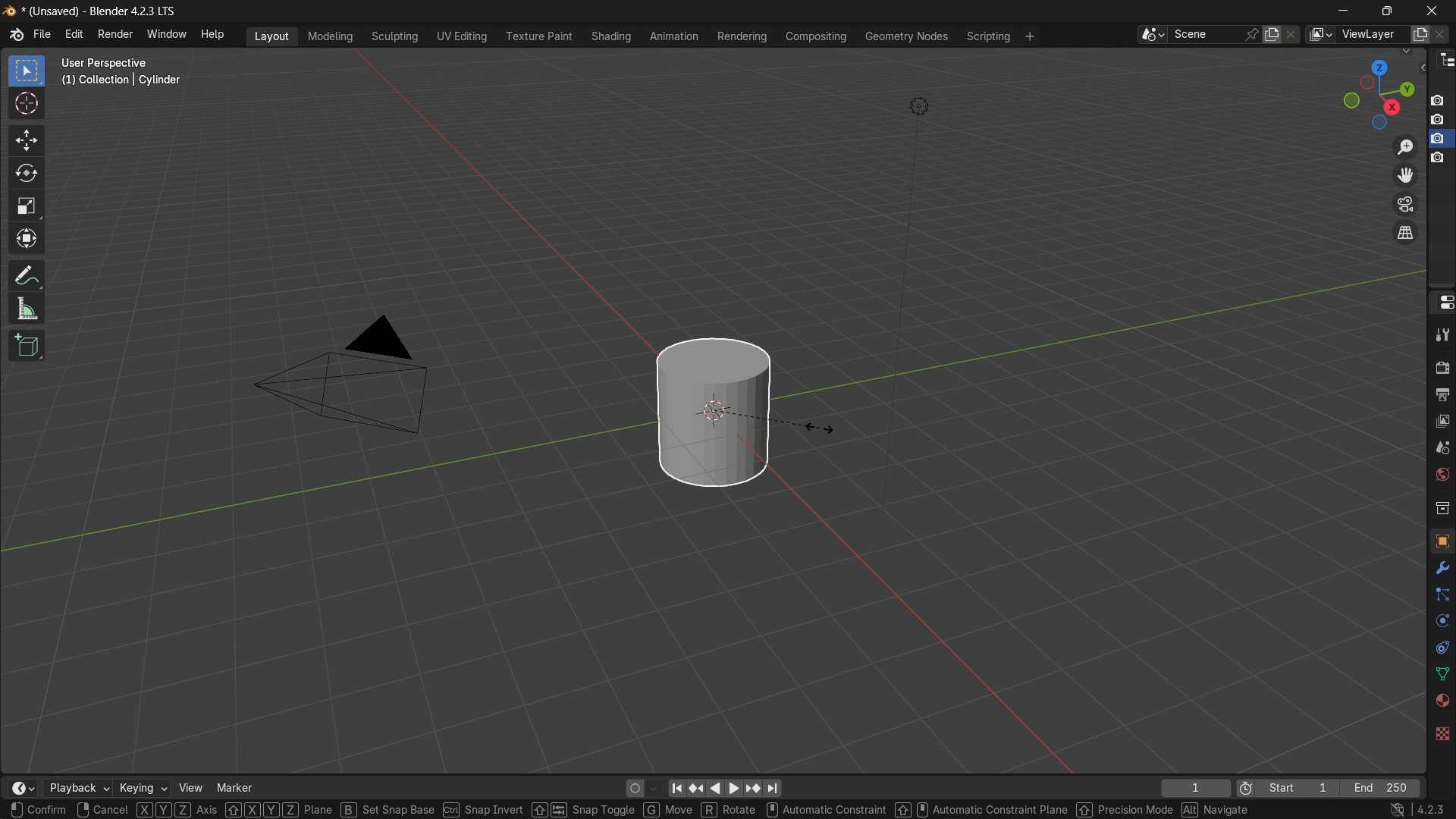 This screenshot has height=819, width=1456. I want to click on toggle camera view, so click(1404, 202).